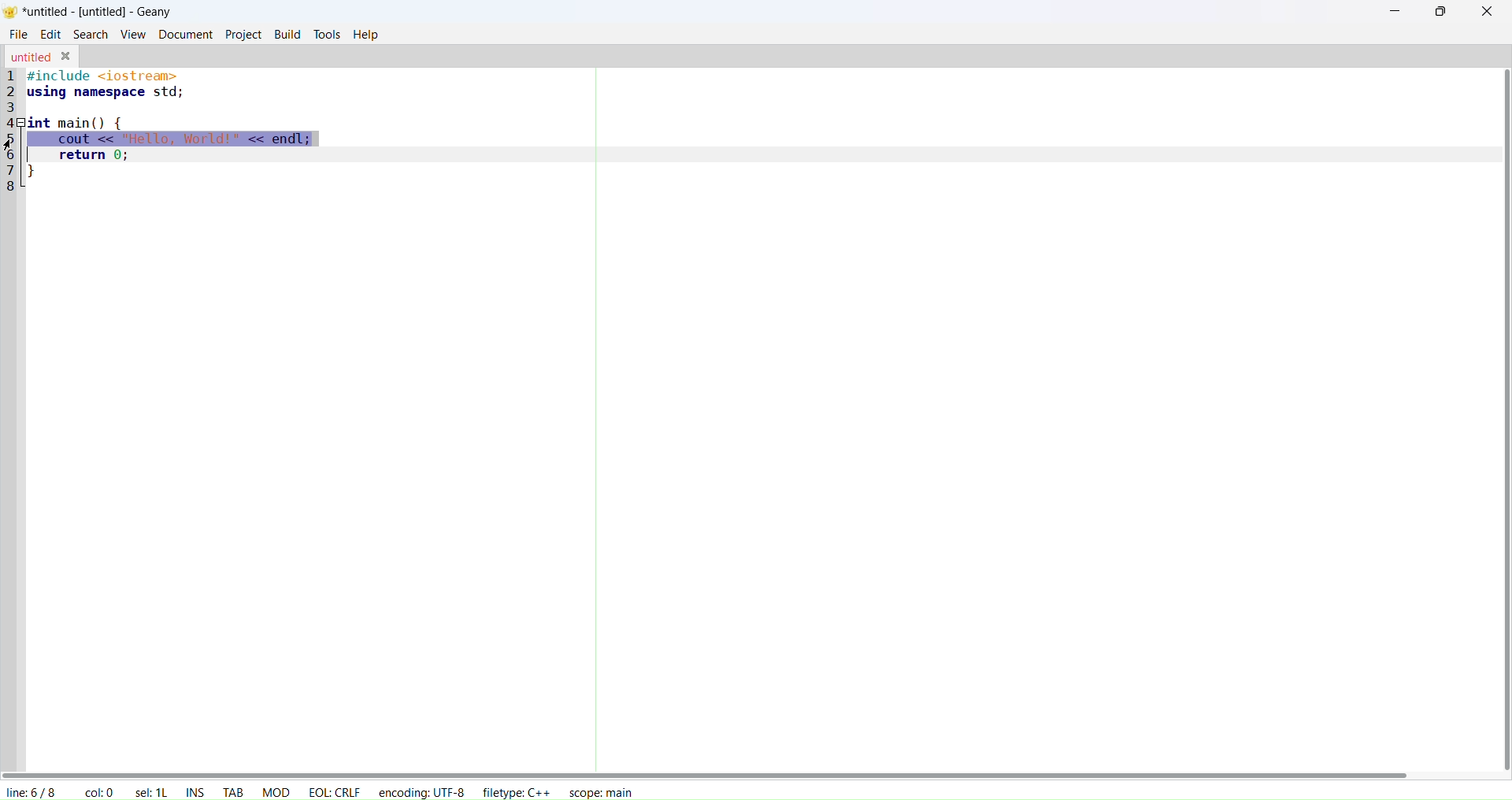 This screenshot has height=800, width=1512. What do you see at coordinates (1441, 10) in the screenshot?
I see `maxisimize` at bounding box center [1441, 10].